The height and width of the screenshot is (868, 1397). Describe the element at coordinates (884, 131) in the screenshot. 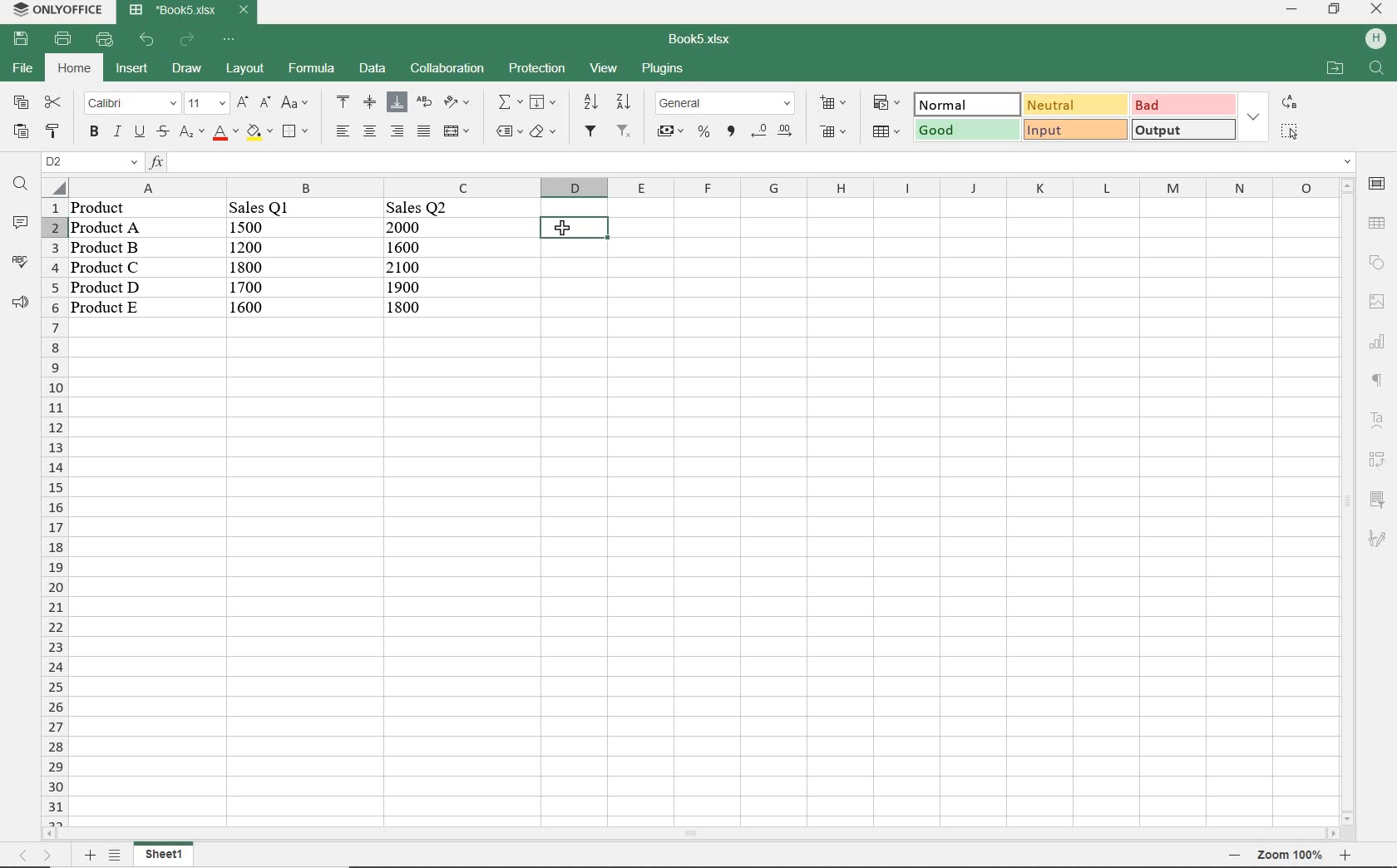

I see `format as table template` at that location.